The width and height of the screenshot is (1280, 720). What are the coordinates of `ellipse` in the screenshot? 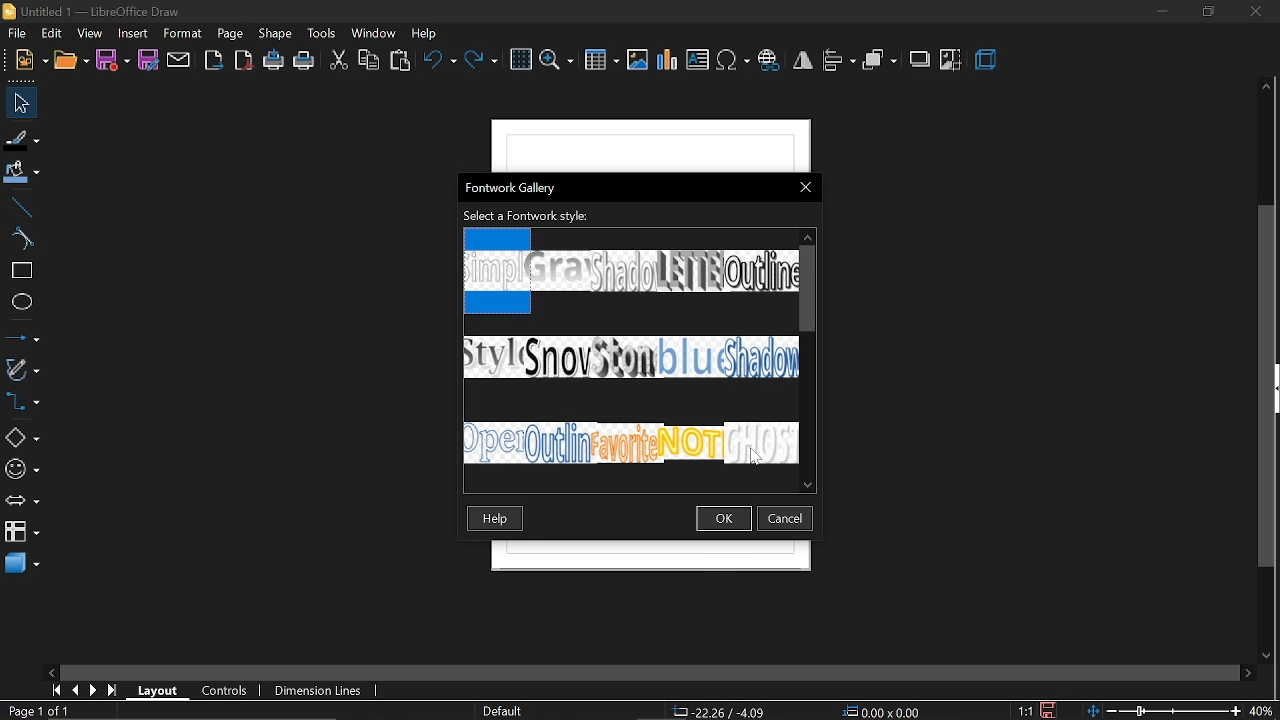 It's located at (20, 302).